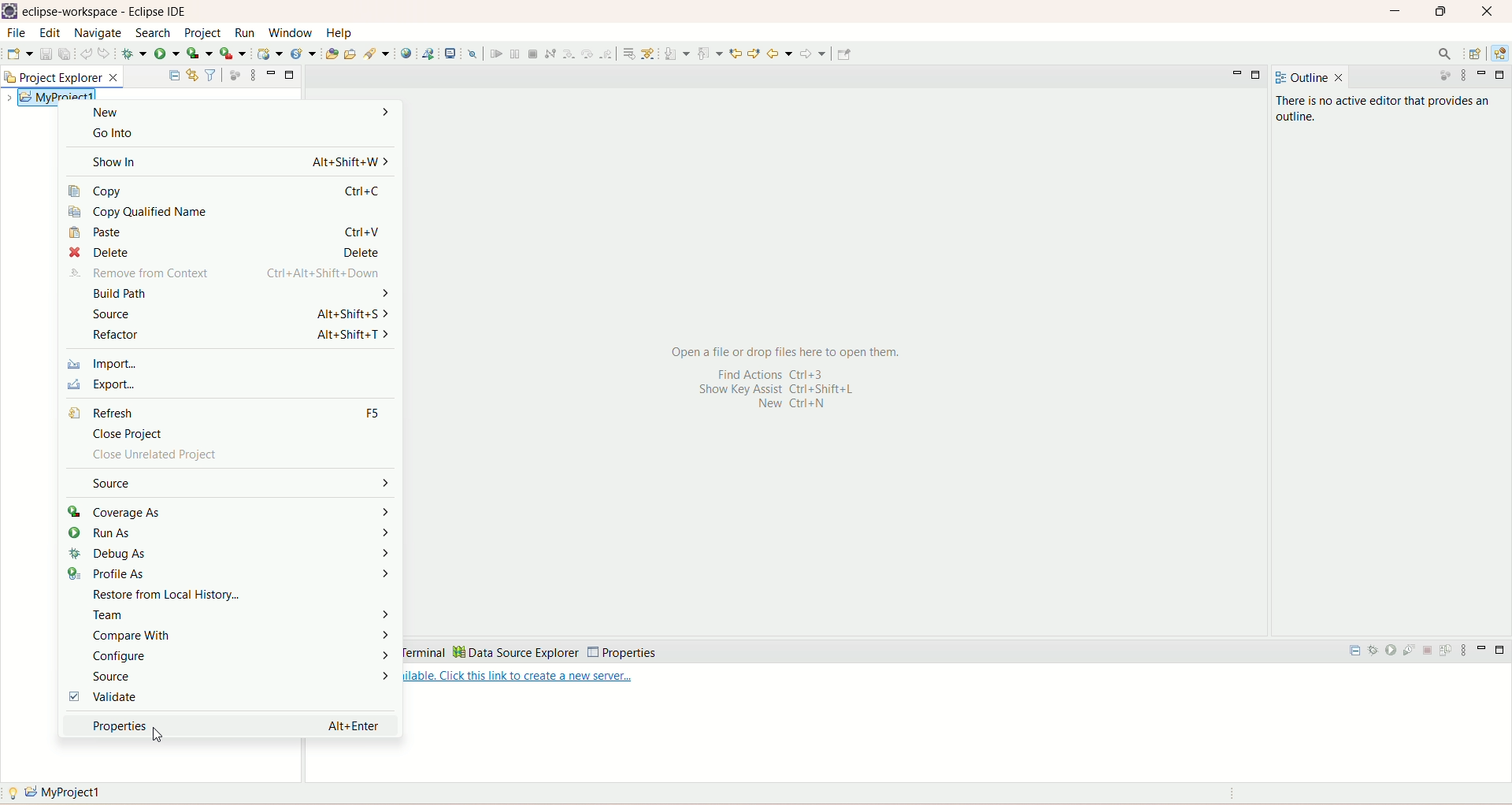 Image resolution: width=1512 pixels, height=805 pixels. What do you see at coordinates (225, 274) in the screenshot?
I see `remove from content` at bounding box center [225, 274].